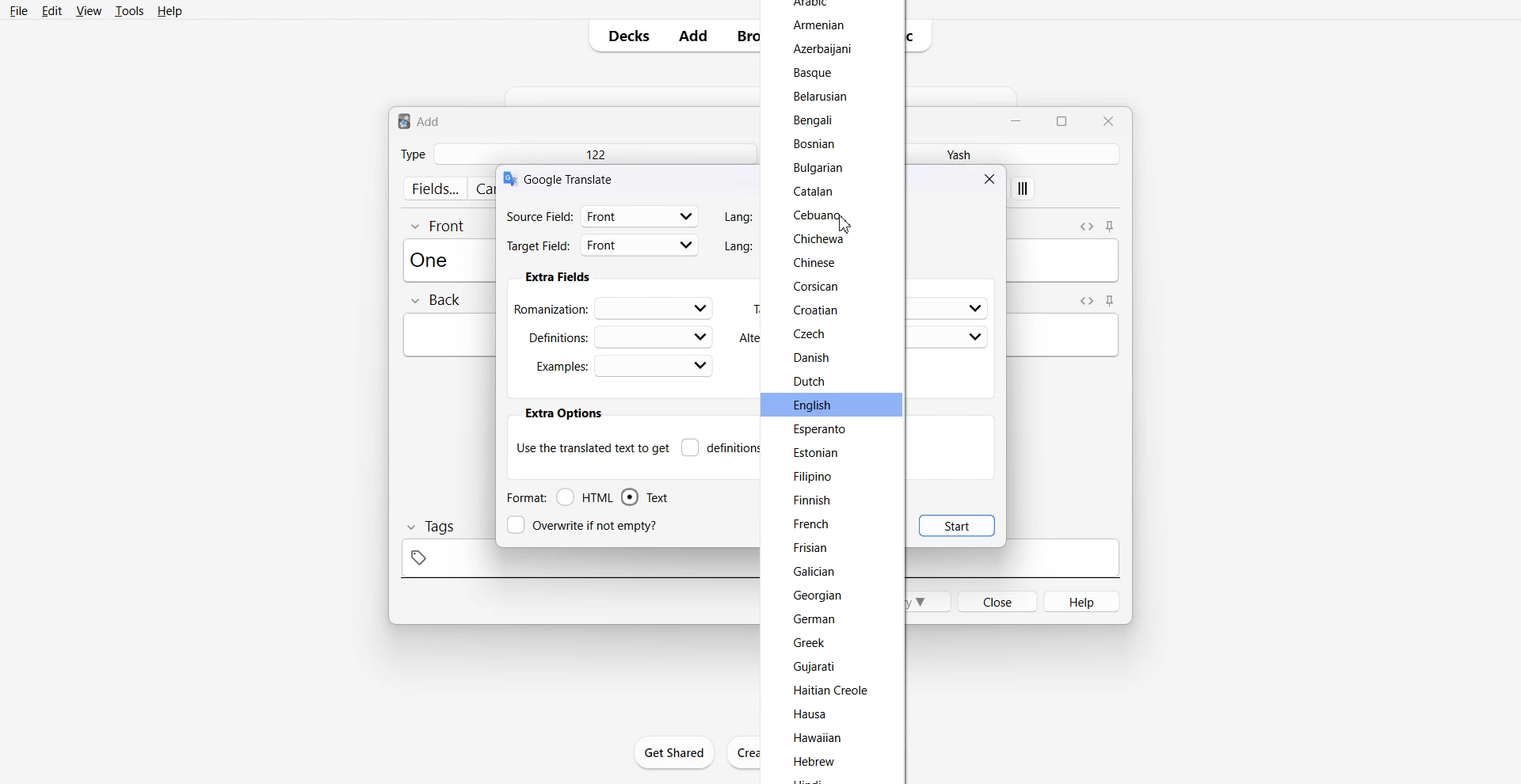 Image resolution: width=1521 pixels, height=784 pixels. Describe the element at coordinates (808, 548) in the screenshot. I see `Frisian` at that location.